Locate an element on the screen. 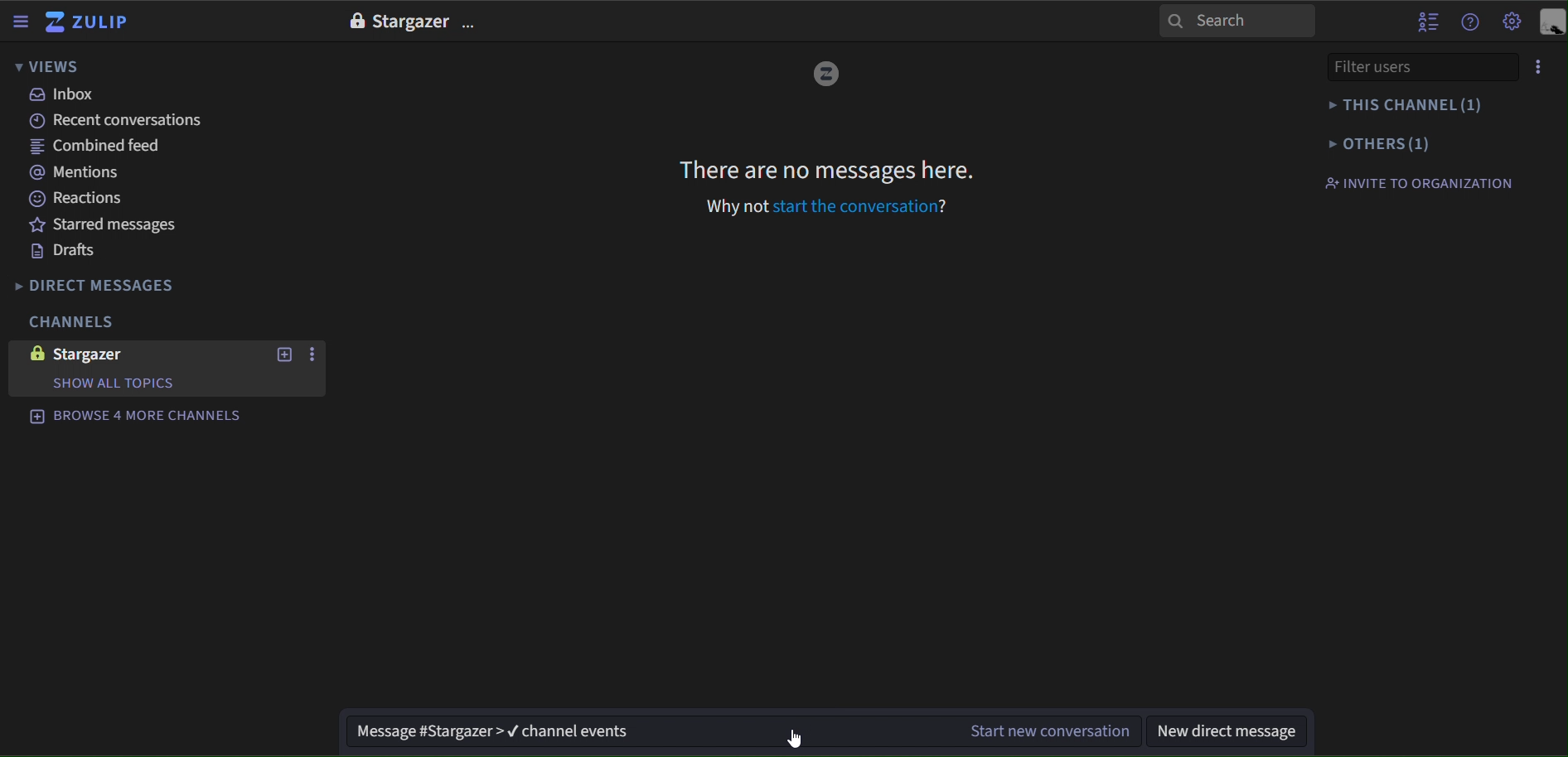 The image size is (1568, 757). image is located at coordinates (355, 21).